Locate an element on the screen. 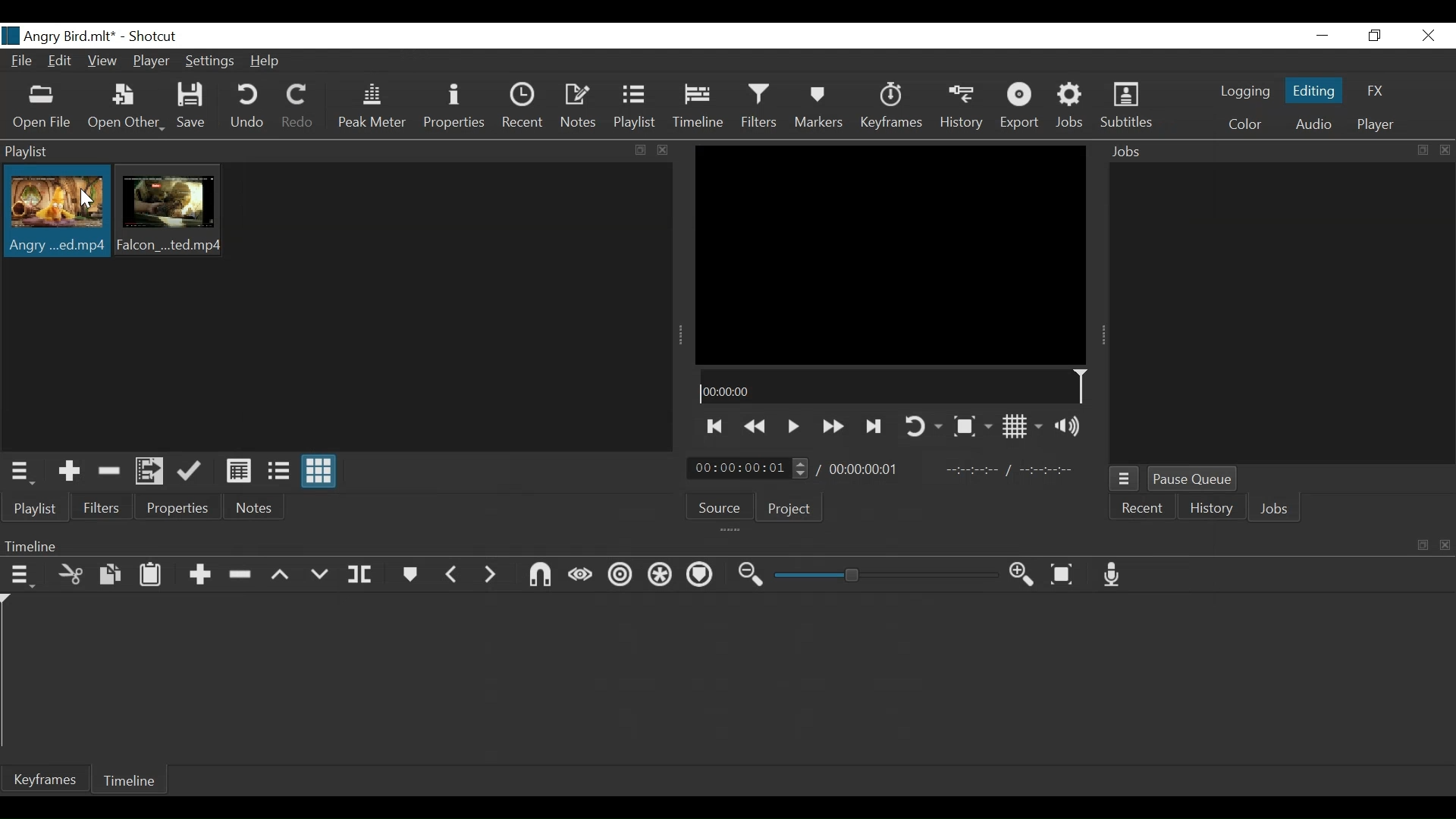 Image resolution: width=1456 pixels, height=819 pixels. Peak Meter is located at coordinates (372, 106).